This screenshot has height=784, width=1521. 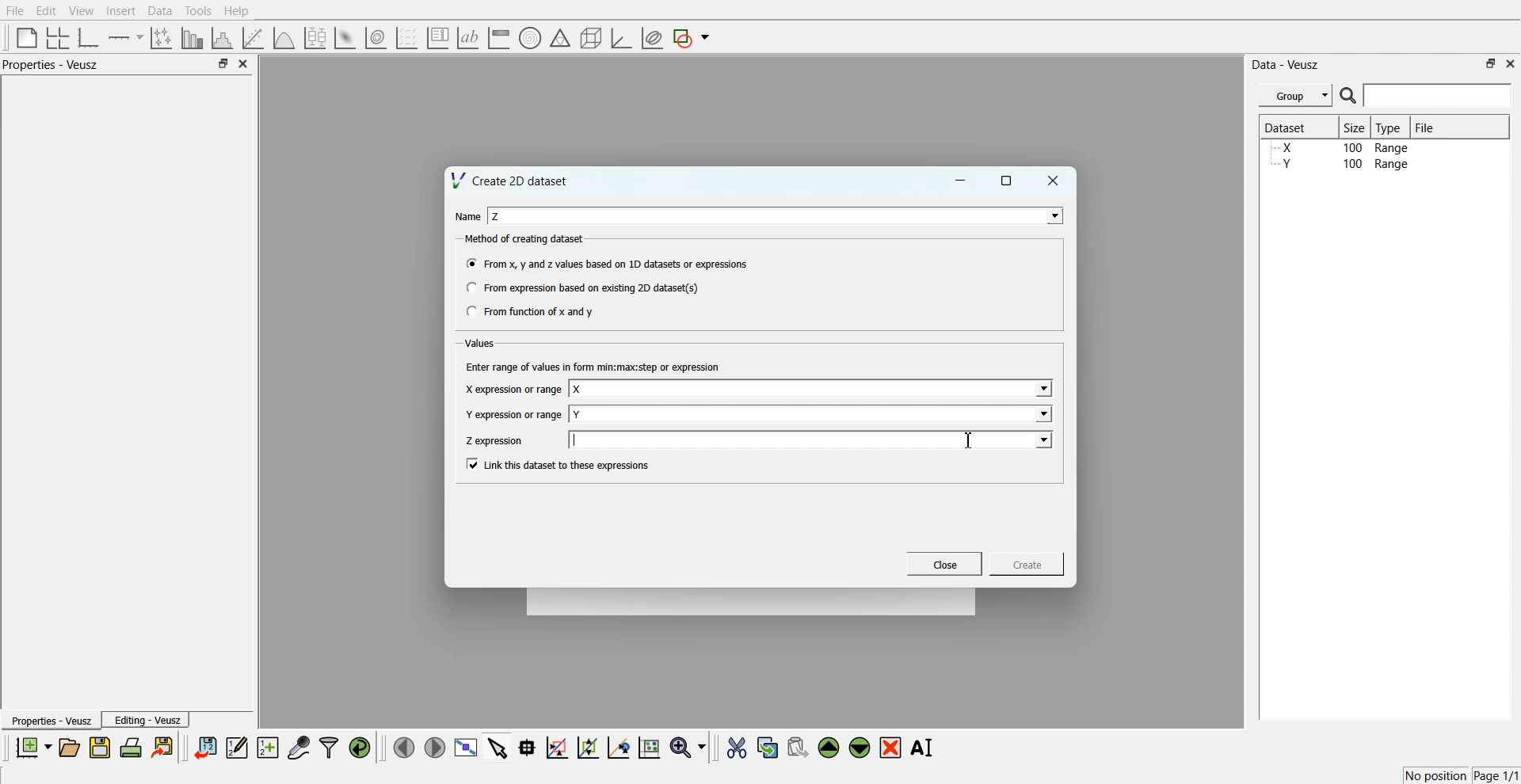 What do you see at coordinates (162, 38) in the screenshot?
I see `Plot points with lines` at bounding box center [162, 38].